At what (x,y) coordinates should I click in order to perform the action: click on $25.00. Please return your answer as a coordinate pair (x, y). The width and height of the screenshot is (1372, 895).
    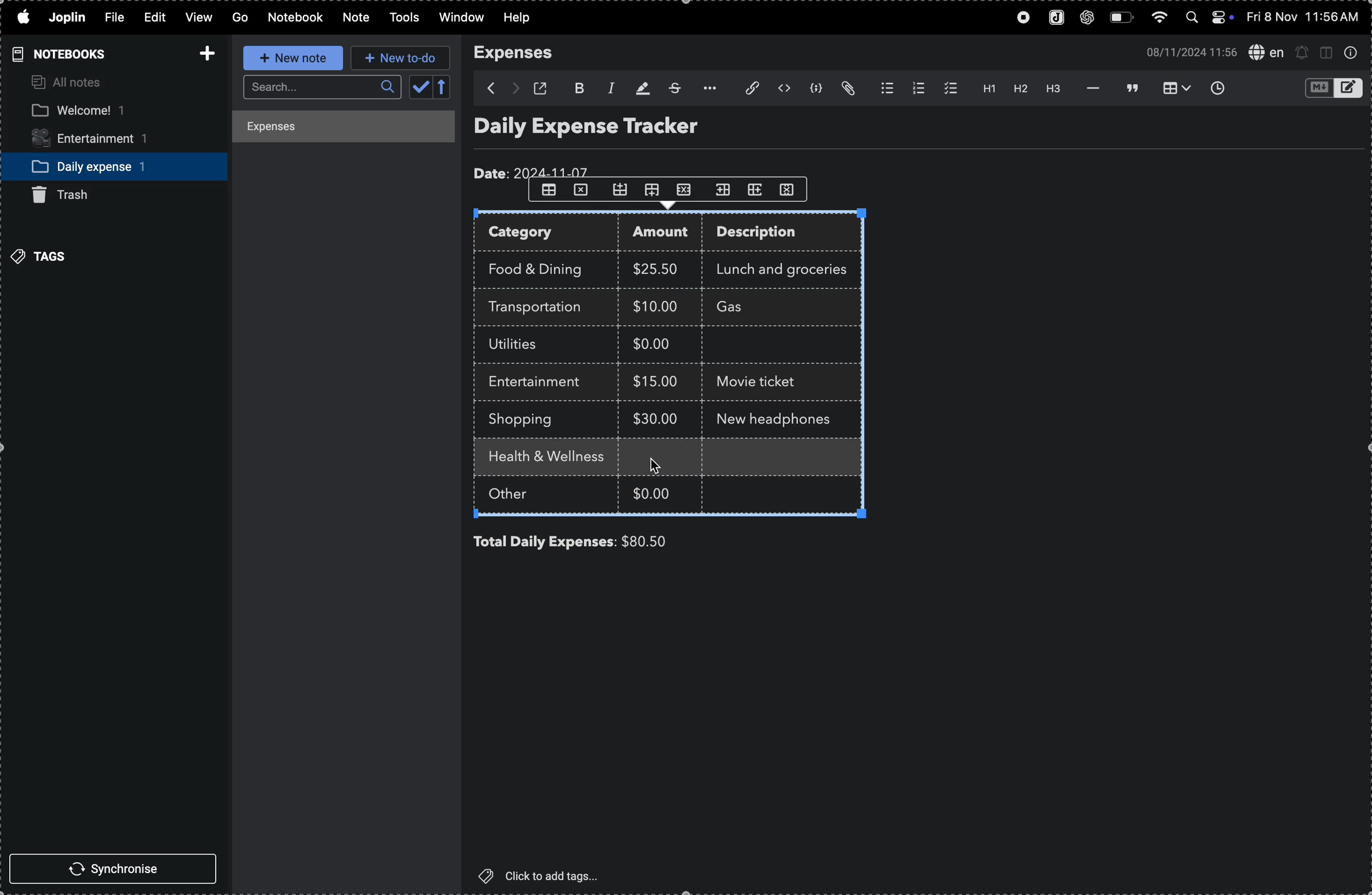
    Looking at the image, I should click on (659, 269).